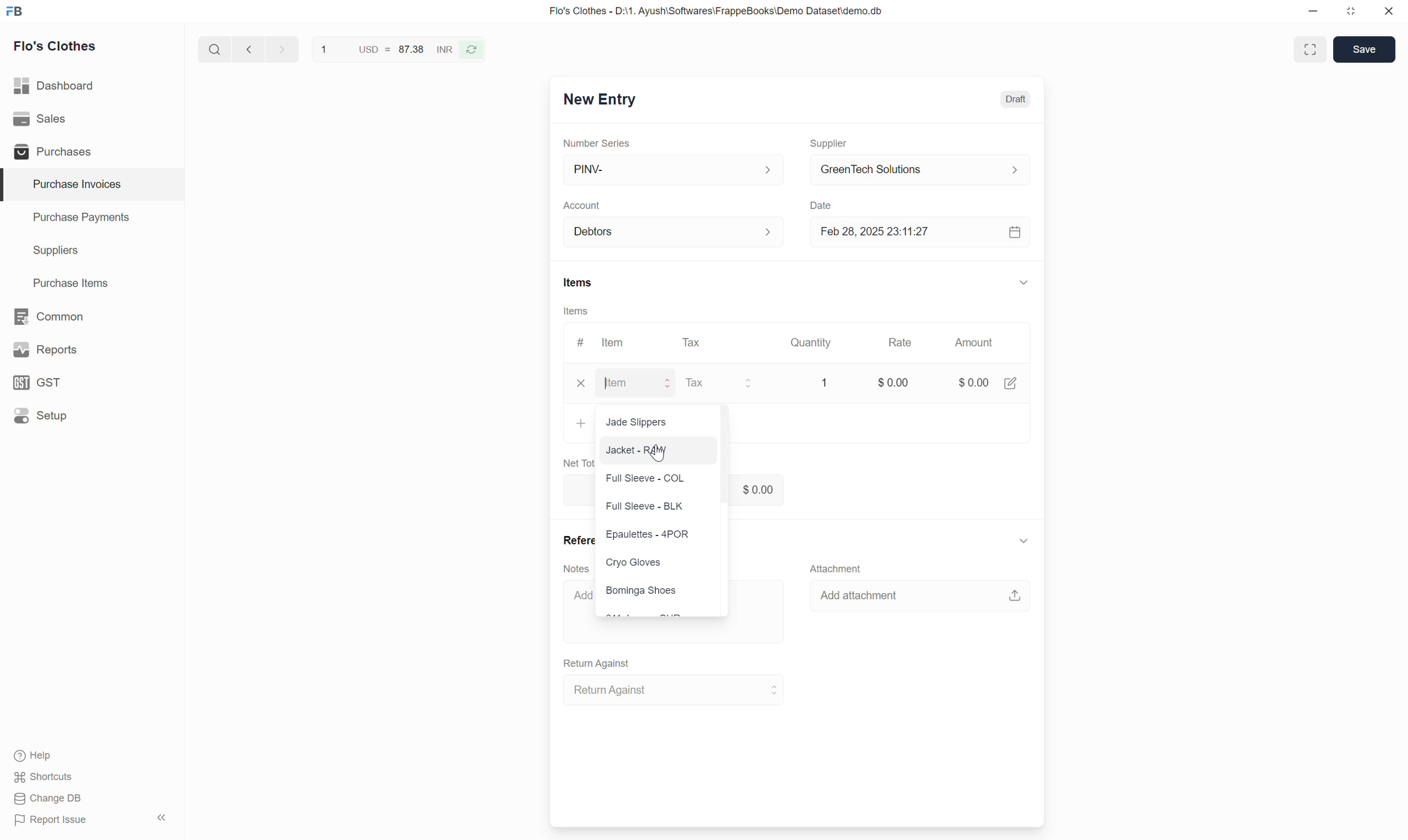 Image resolution: width=1408 pixels, height=840 pixels. What do you see at coordinates (718, 383) in the screenshot?
I see `Tax` at bounding box center [718, 383].